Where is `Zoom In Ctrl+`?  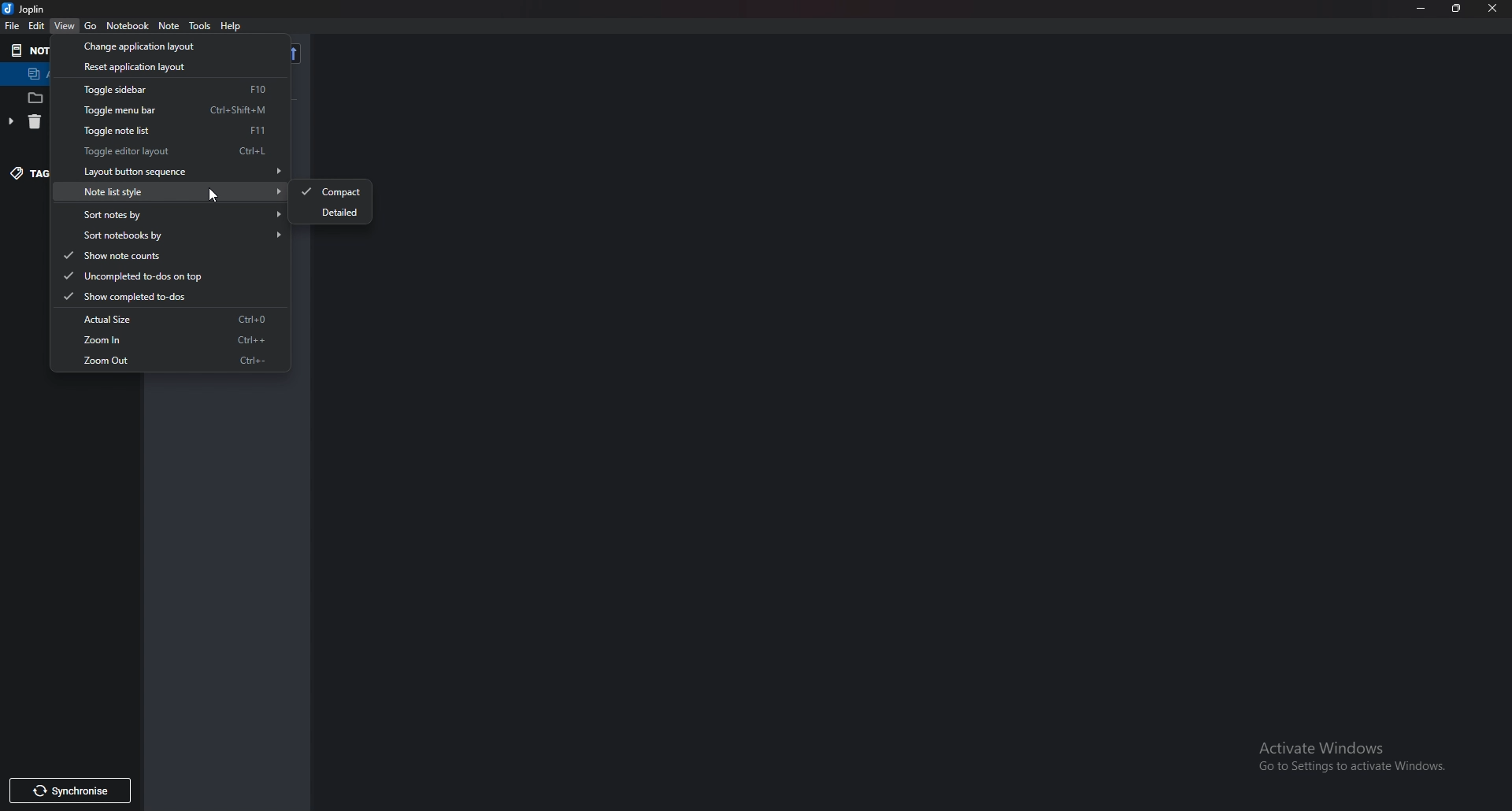 Zoom In Ctrl+ is located at coordinates (187, 339).